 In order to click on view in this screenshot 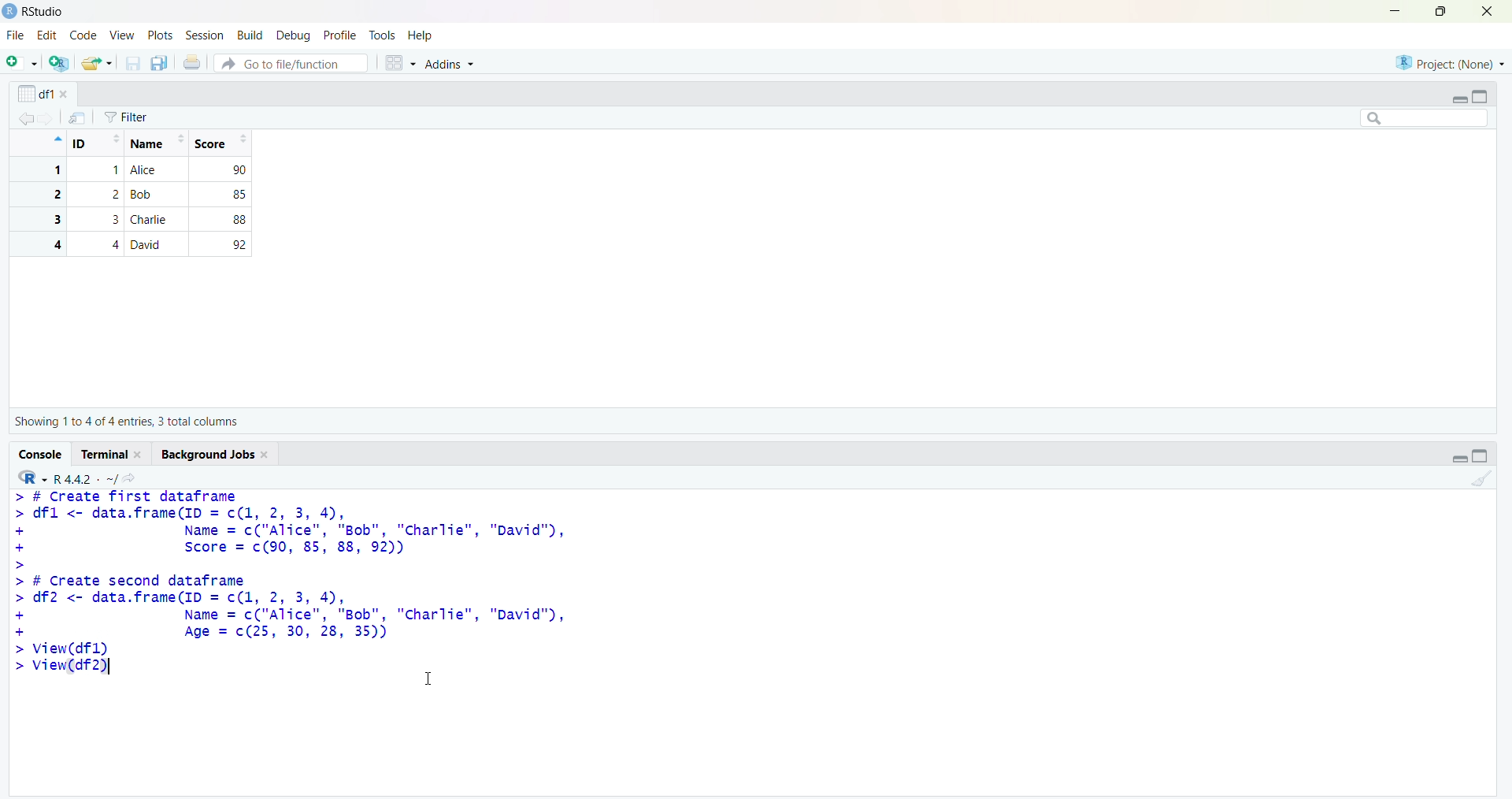, I will do `click(123, 36)`.